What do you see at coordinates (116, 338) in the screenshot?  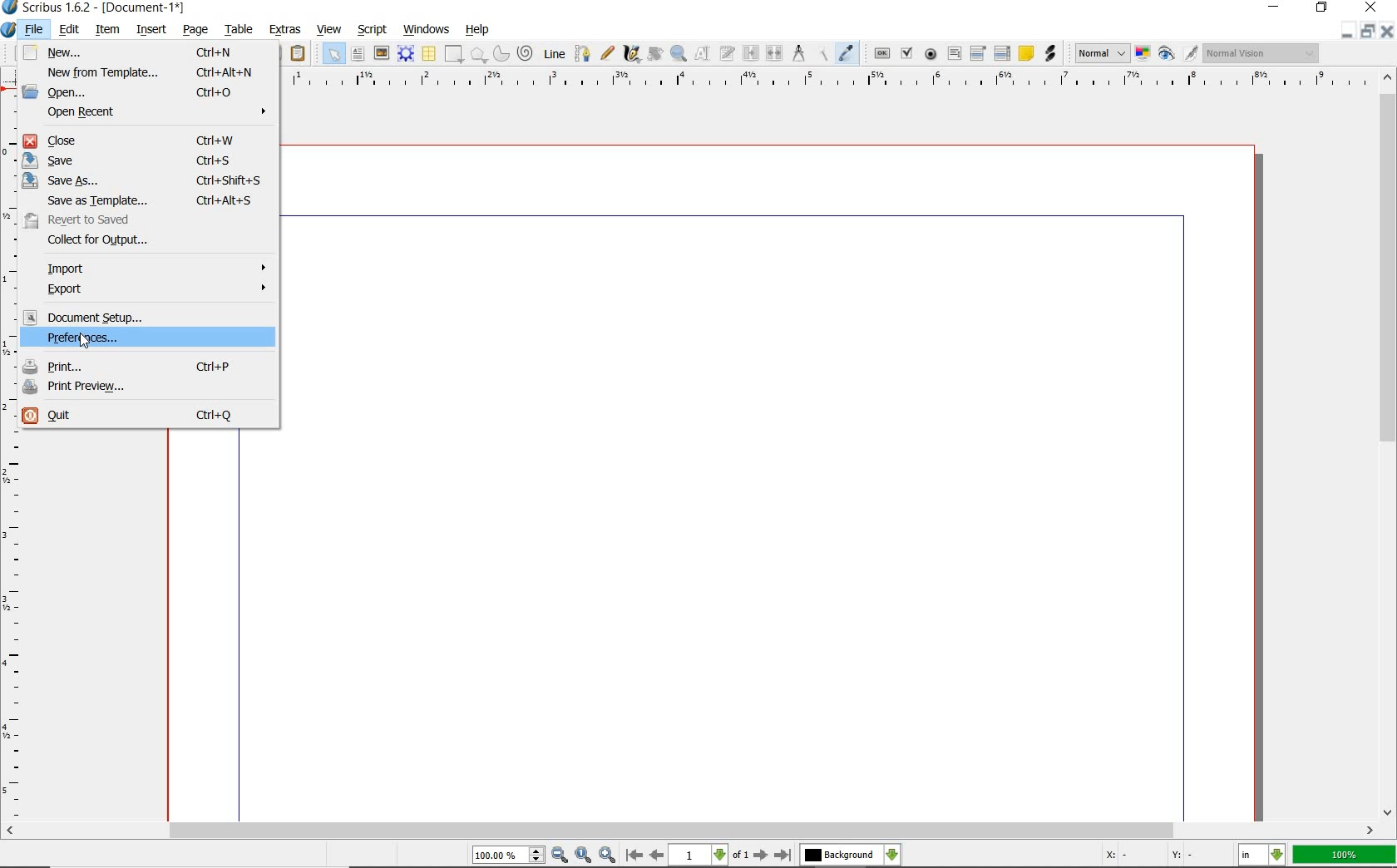 I see `preferences` at bounding box center [116, 338].